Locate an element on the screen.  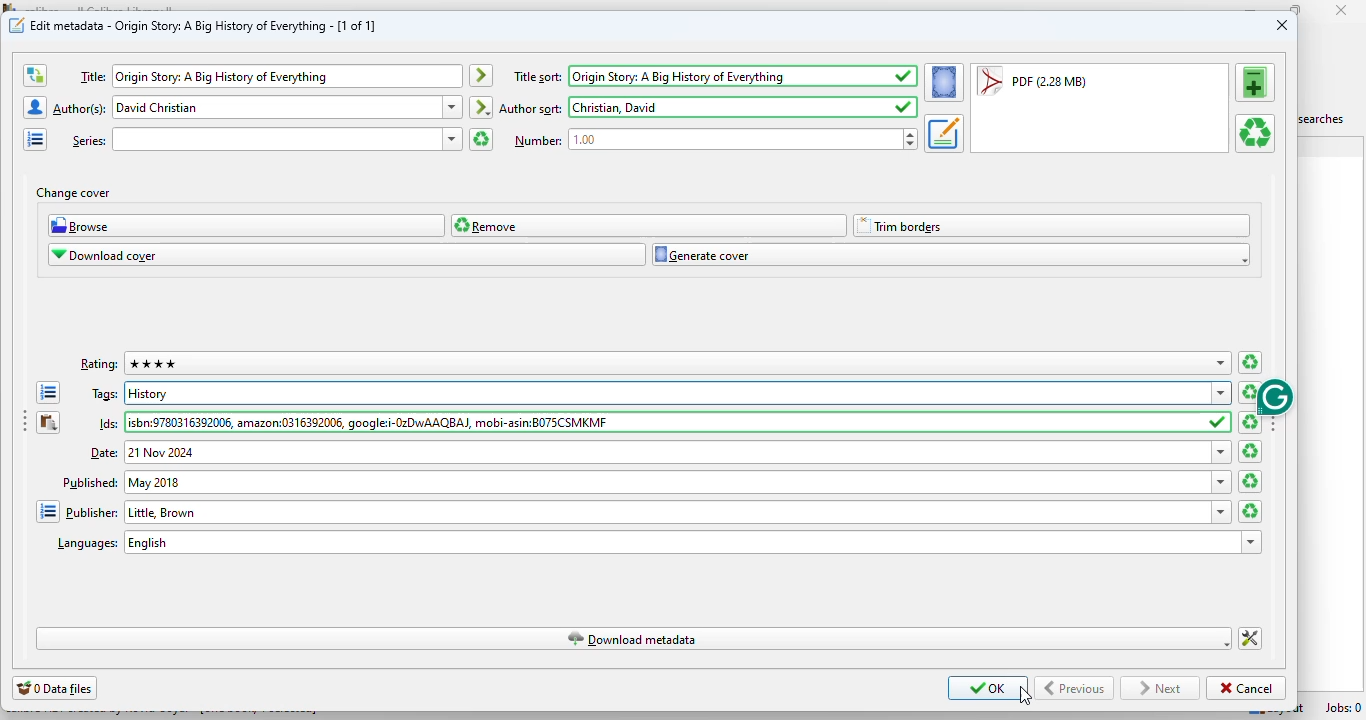
add a format to this book is located at coordinates (1254, 82).